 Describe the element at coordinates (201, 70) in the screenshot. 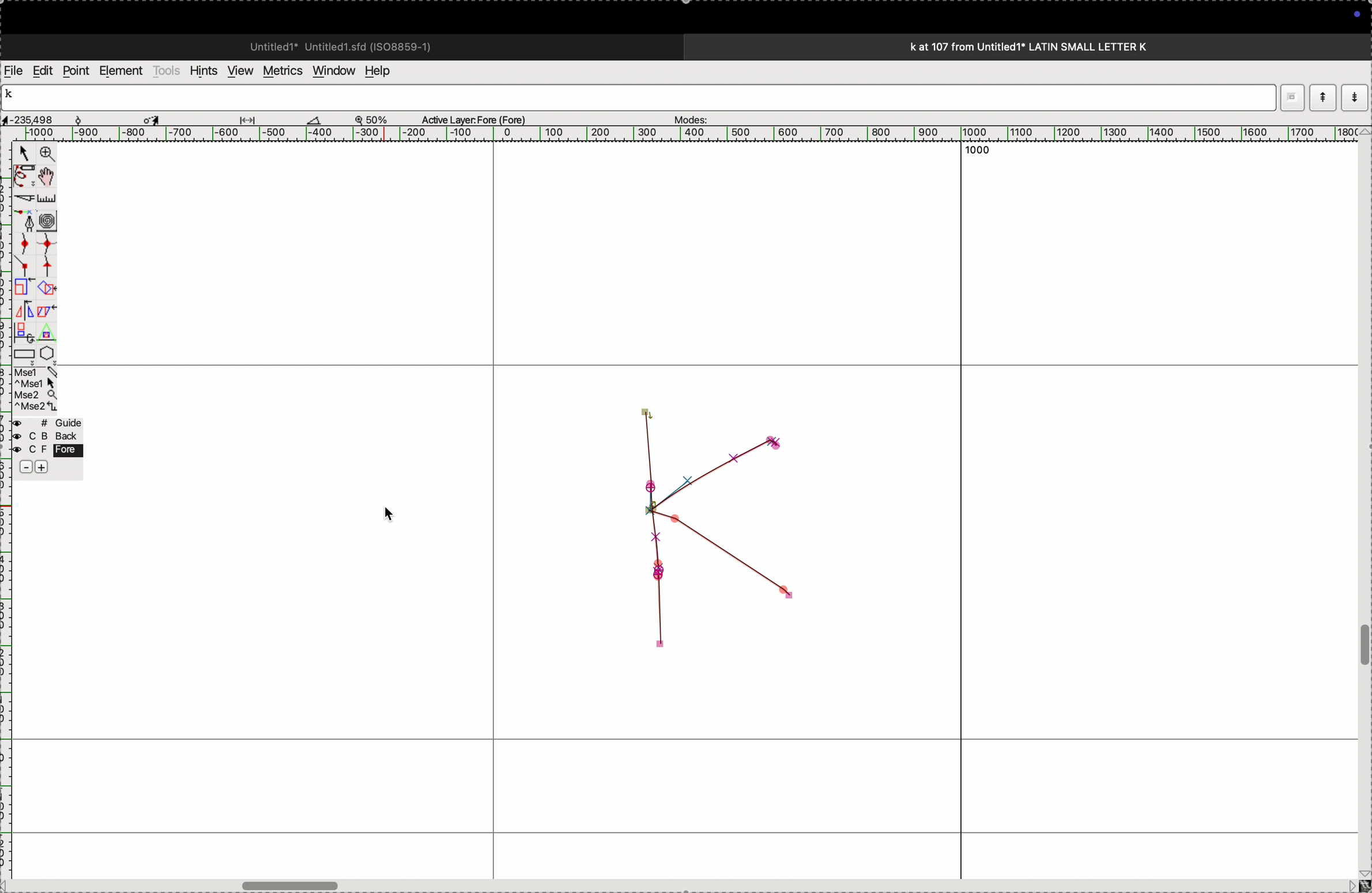

I see `hints` at that location.